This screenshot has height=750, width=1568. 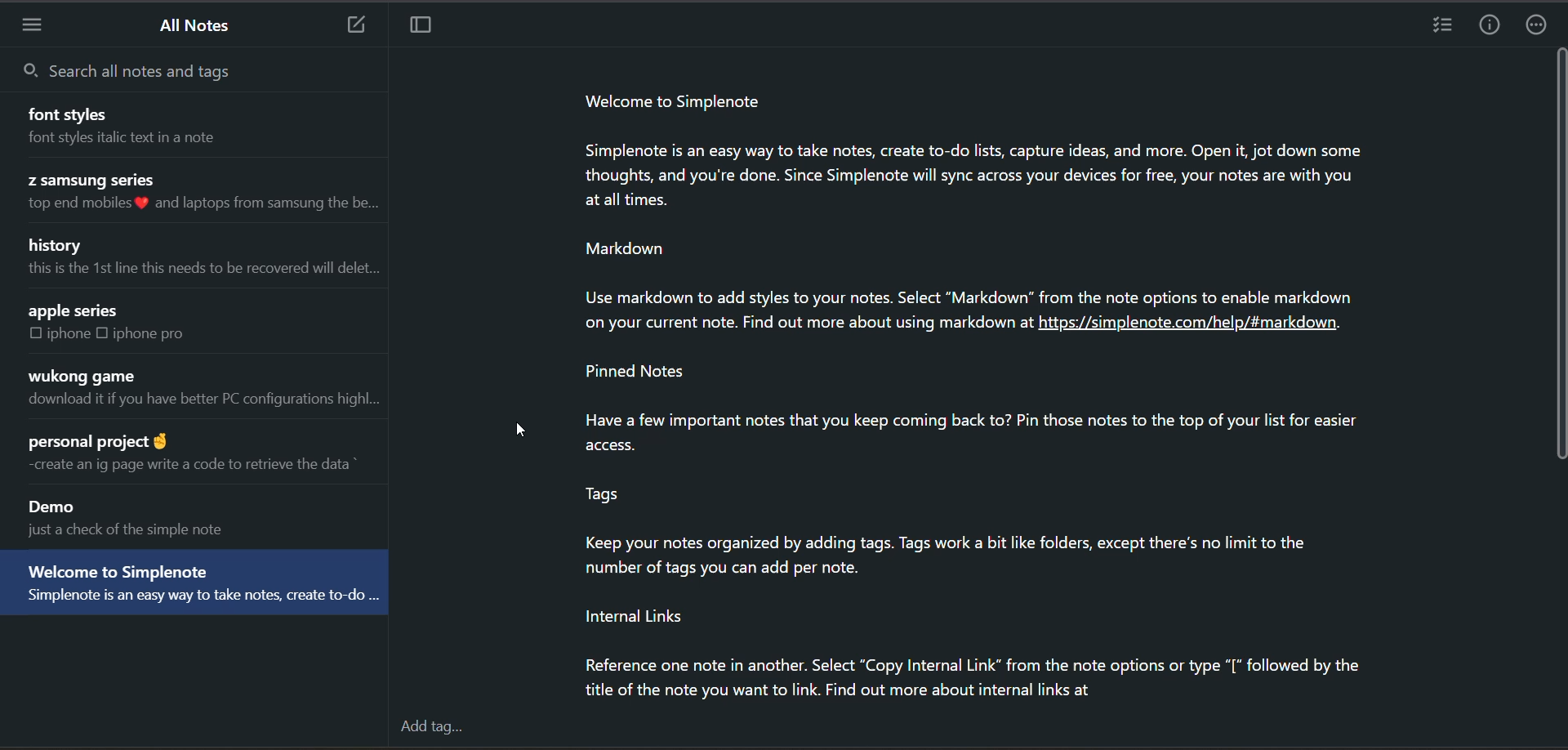 What do you see at coordinates (58, 245) in the screenshot?
I see `history` at bounding box center [58, 245].